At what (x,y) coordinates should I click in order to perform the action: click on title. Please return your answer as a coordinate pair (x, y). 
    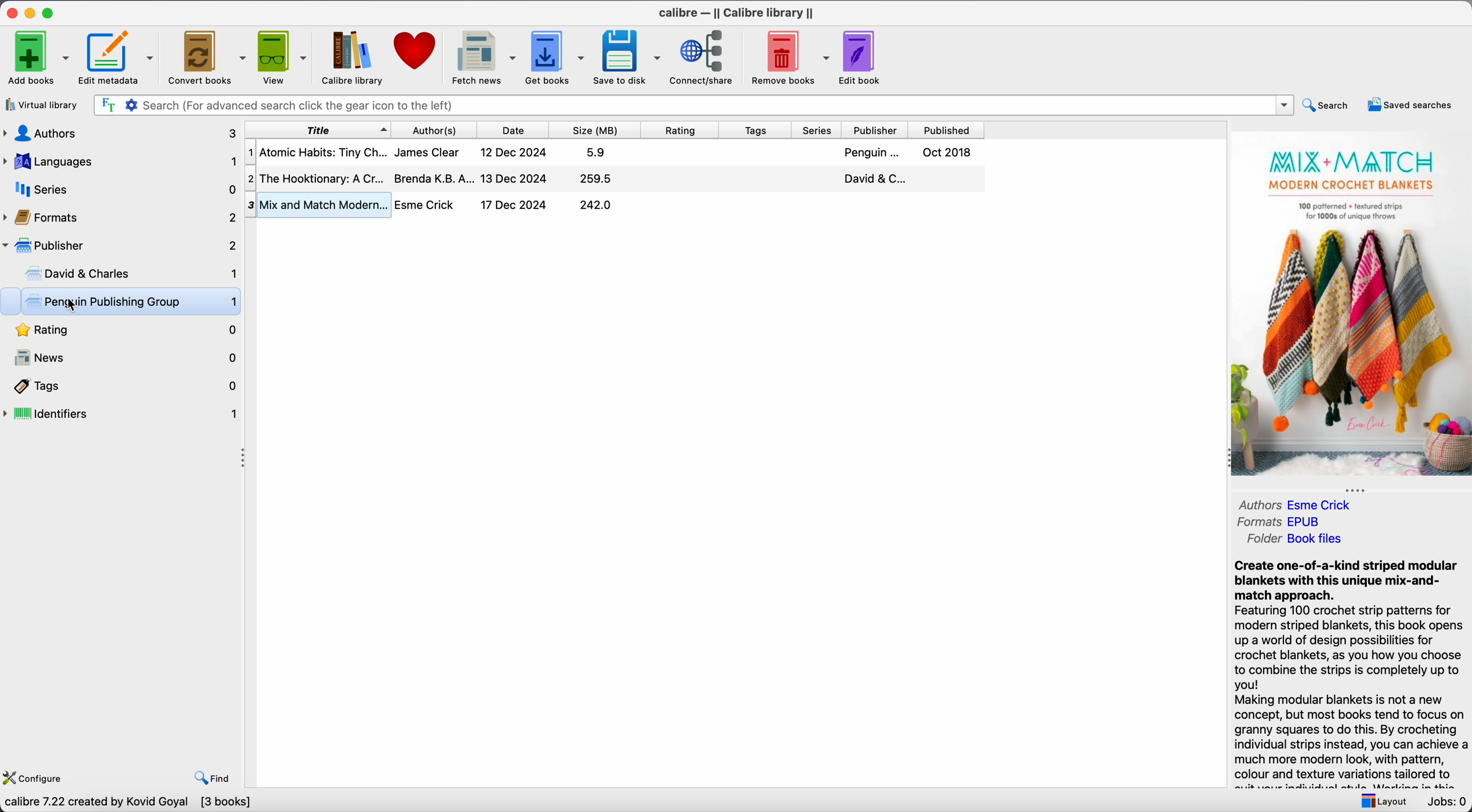
    Looking at the image, I should click on (317, 129).